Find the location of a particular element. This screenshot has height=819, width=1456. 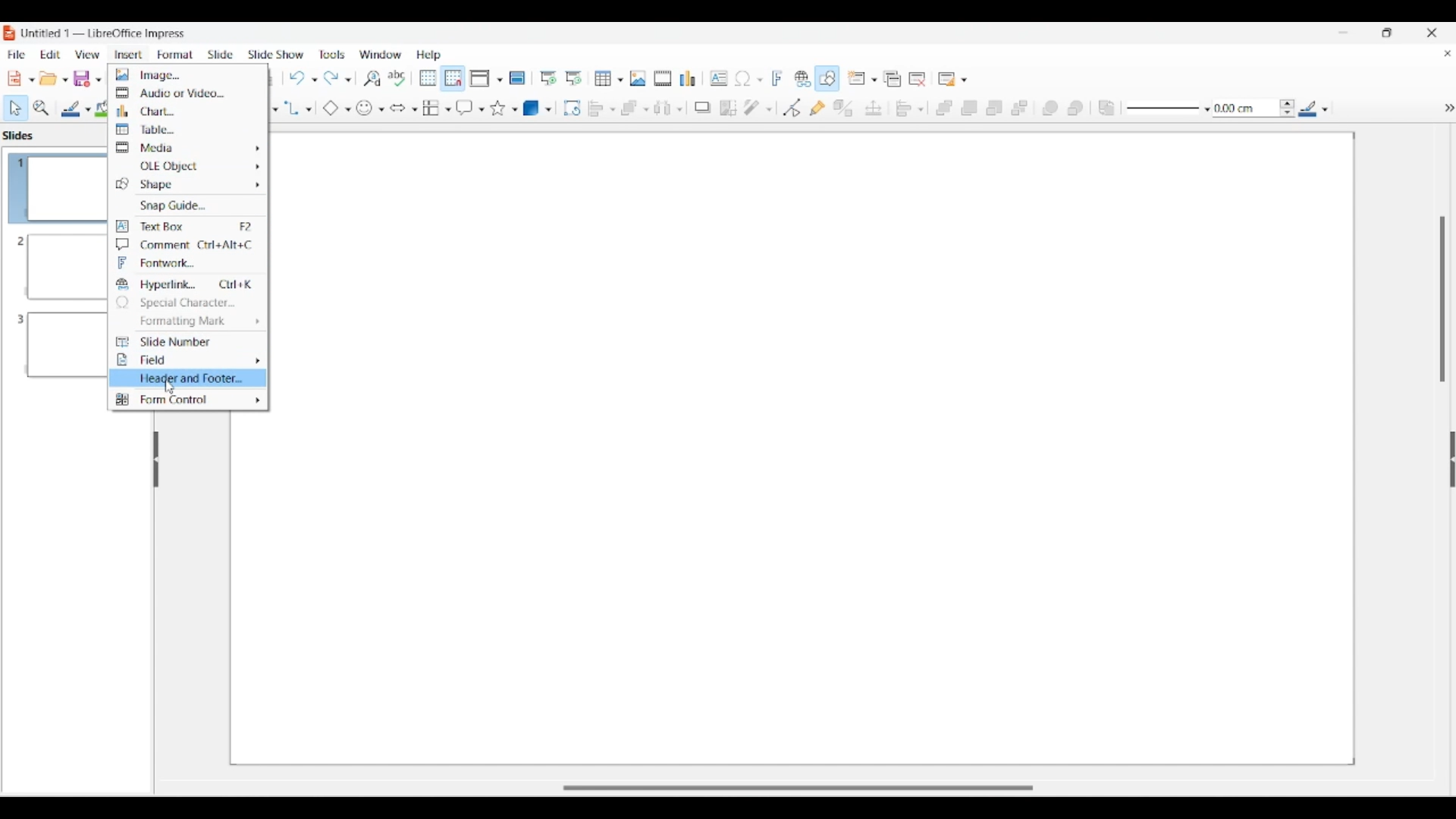

Slide 1 is located at coordinates (53, 187).